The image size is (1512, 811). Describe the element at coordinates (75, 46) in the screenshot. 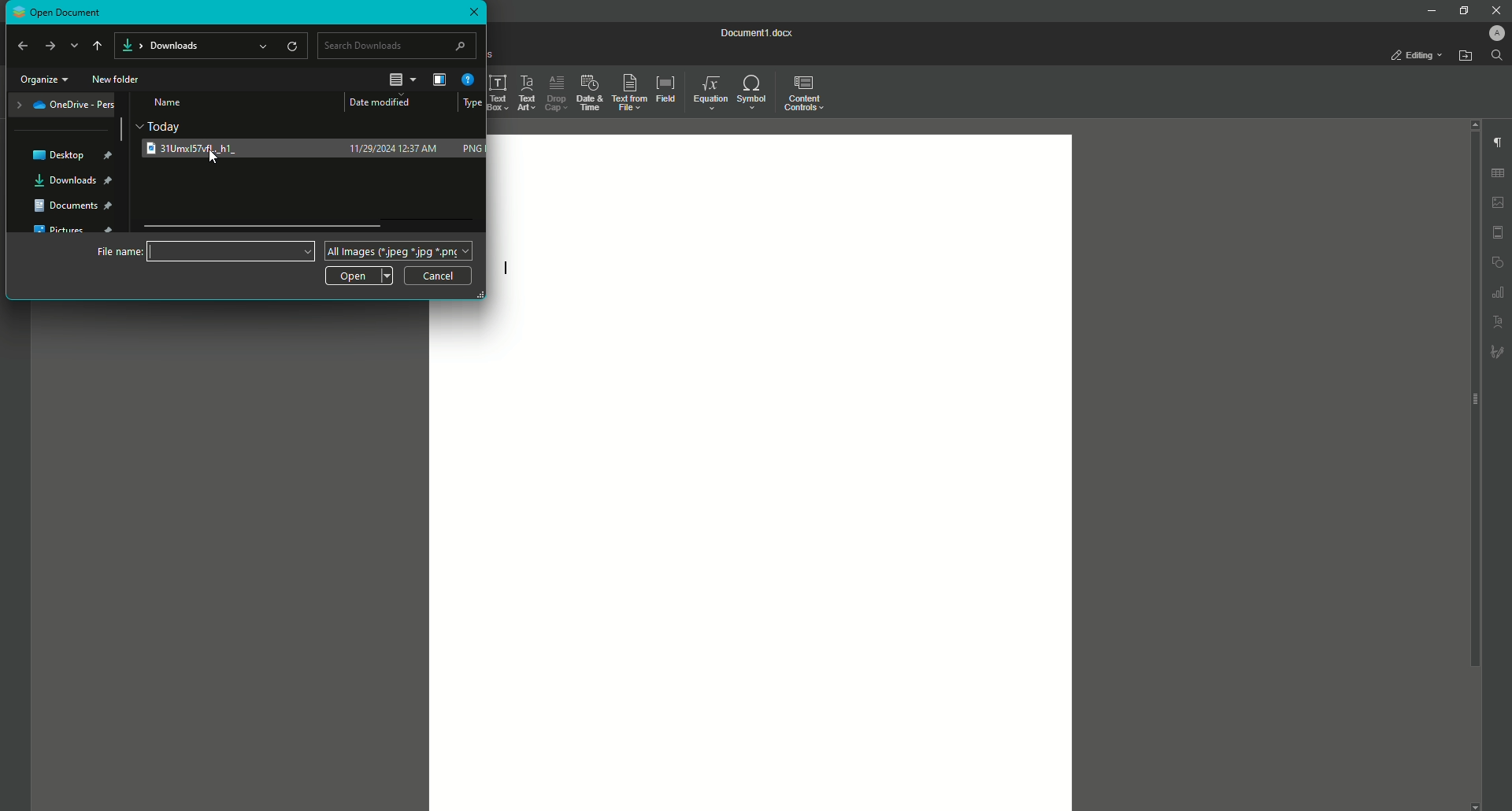

I see `Down` at that location.